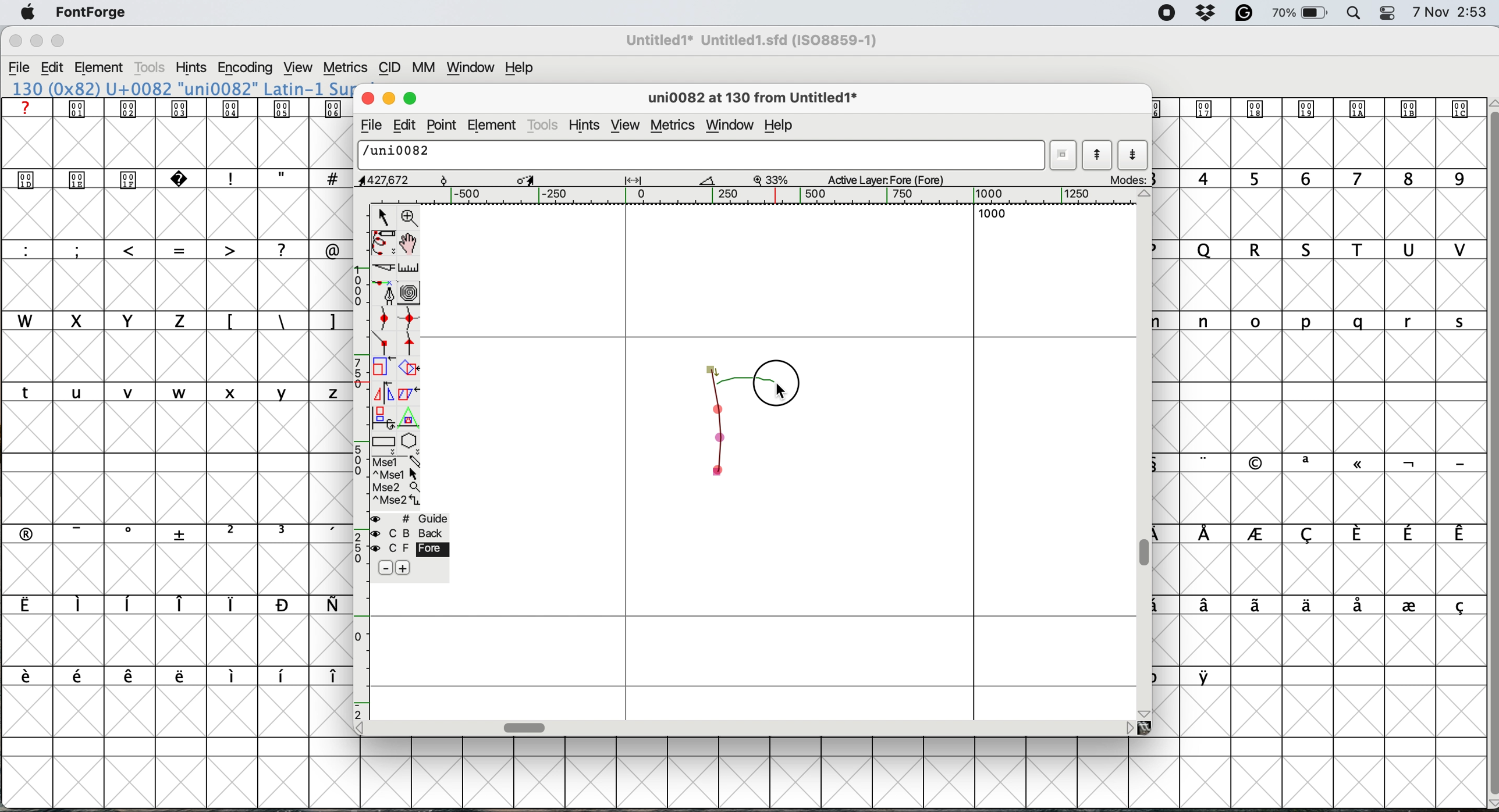 The image size is (1499, 812). What do you see at coordinates (730, 378) in the screenshot?
I see `draw r` at bounding box center [730, 378].